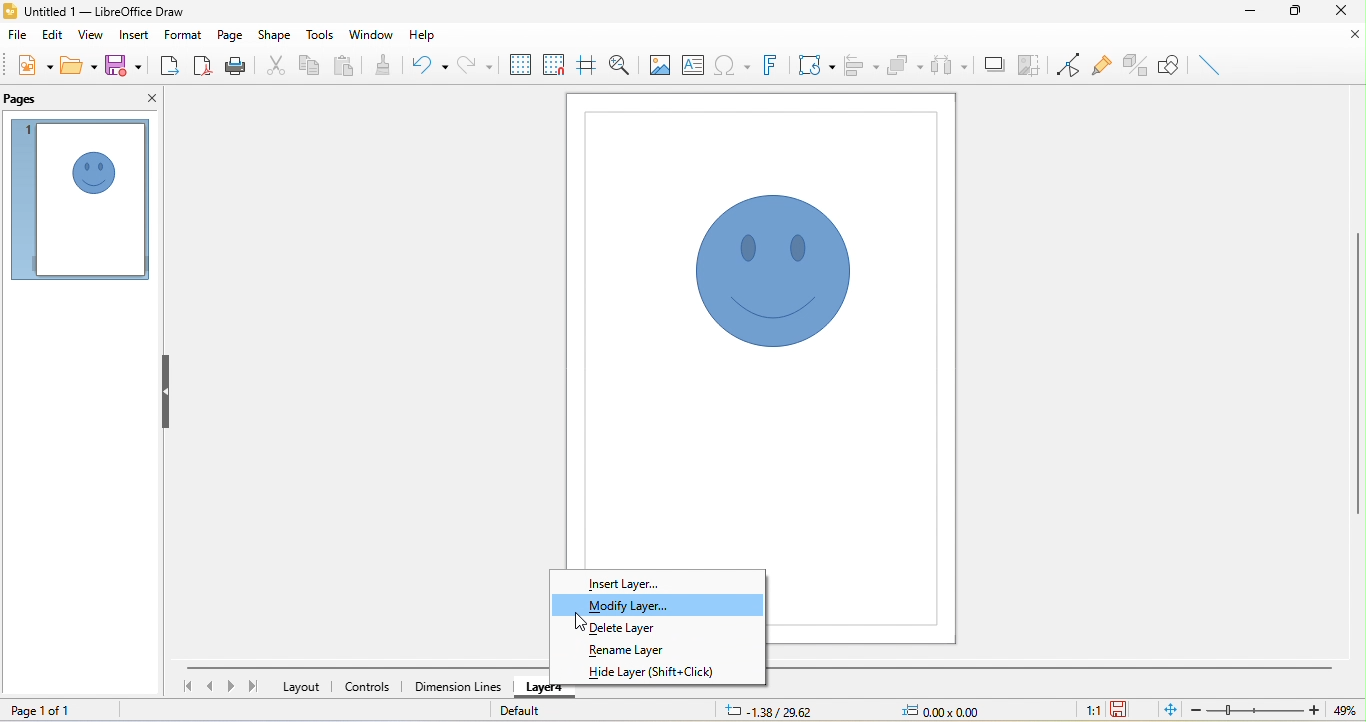 Image resolution: width=1366 pixels, height=722 pixels. I want to click on align object, so click(861, 67).